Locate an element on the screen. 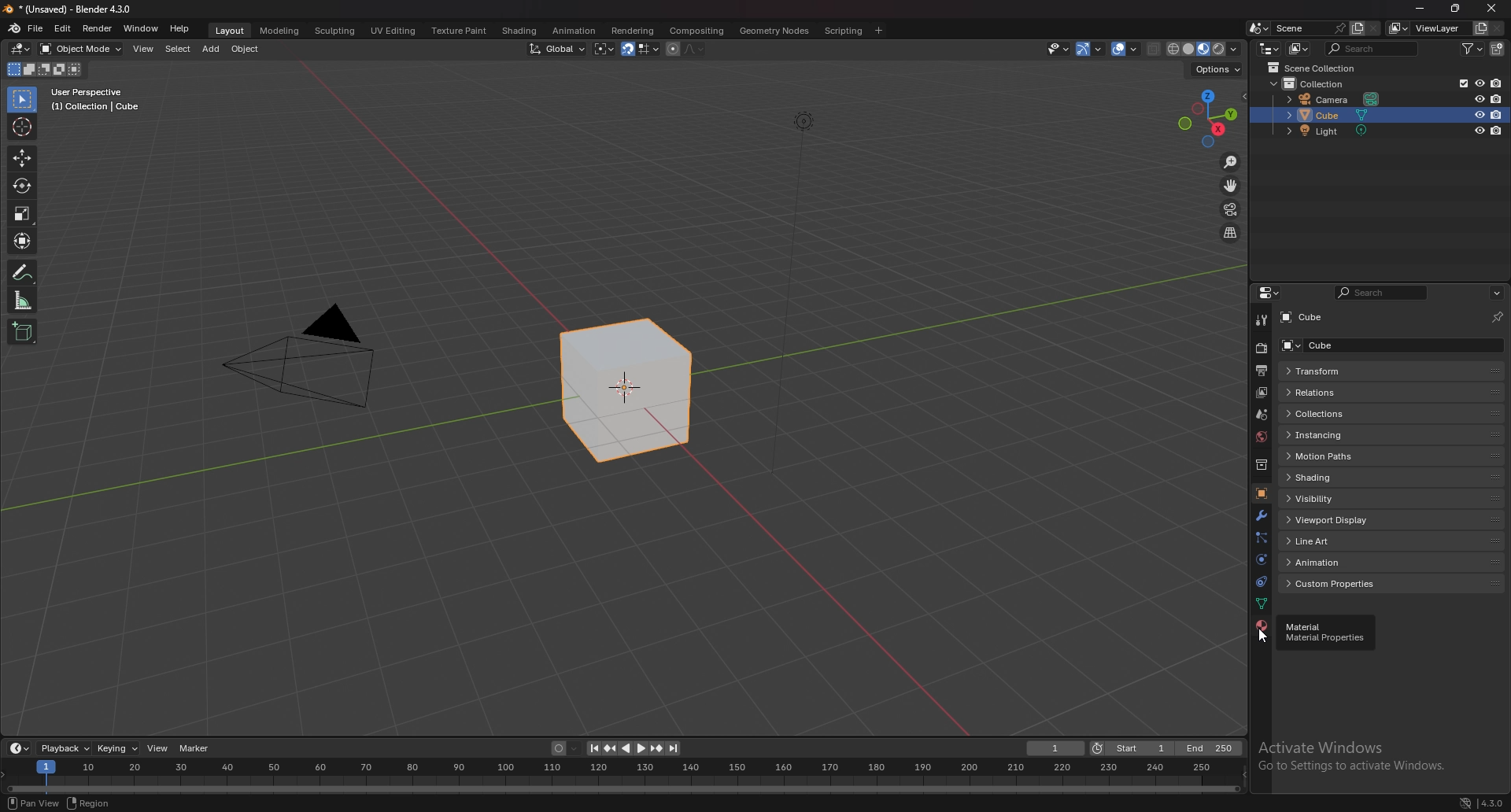  measure is located at coordinates (23, 300).